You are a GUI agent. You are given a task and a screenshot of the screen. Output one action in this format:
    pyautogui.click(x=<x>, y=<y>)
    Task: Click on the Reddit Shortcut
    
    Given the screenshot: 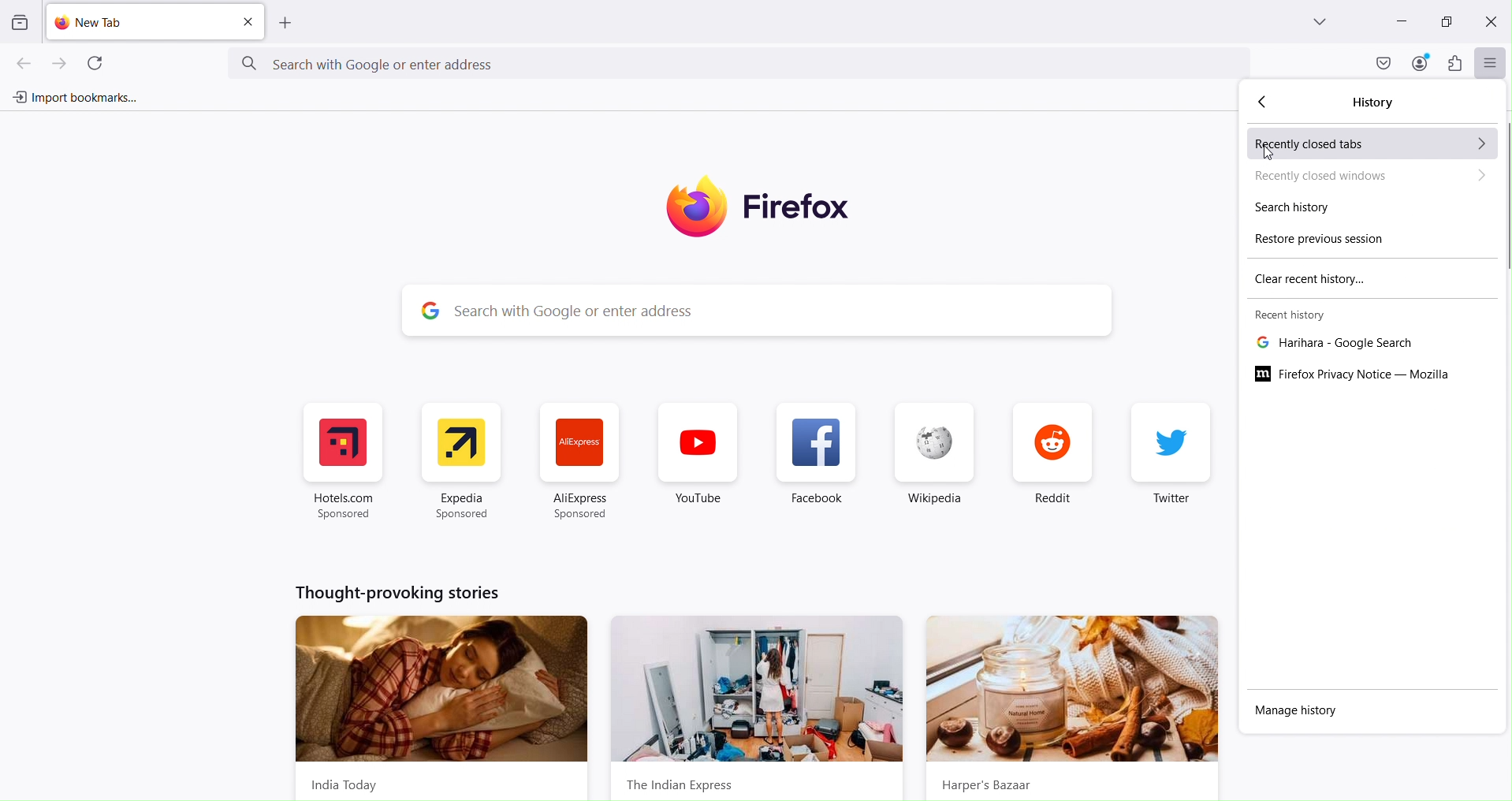 What is the action you would take?
    pyautogui.click(x=1050, y=462)
    